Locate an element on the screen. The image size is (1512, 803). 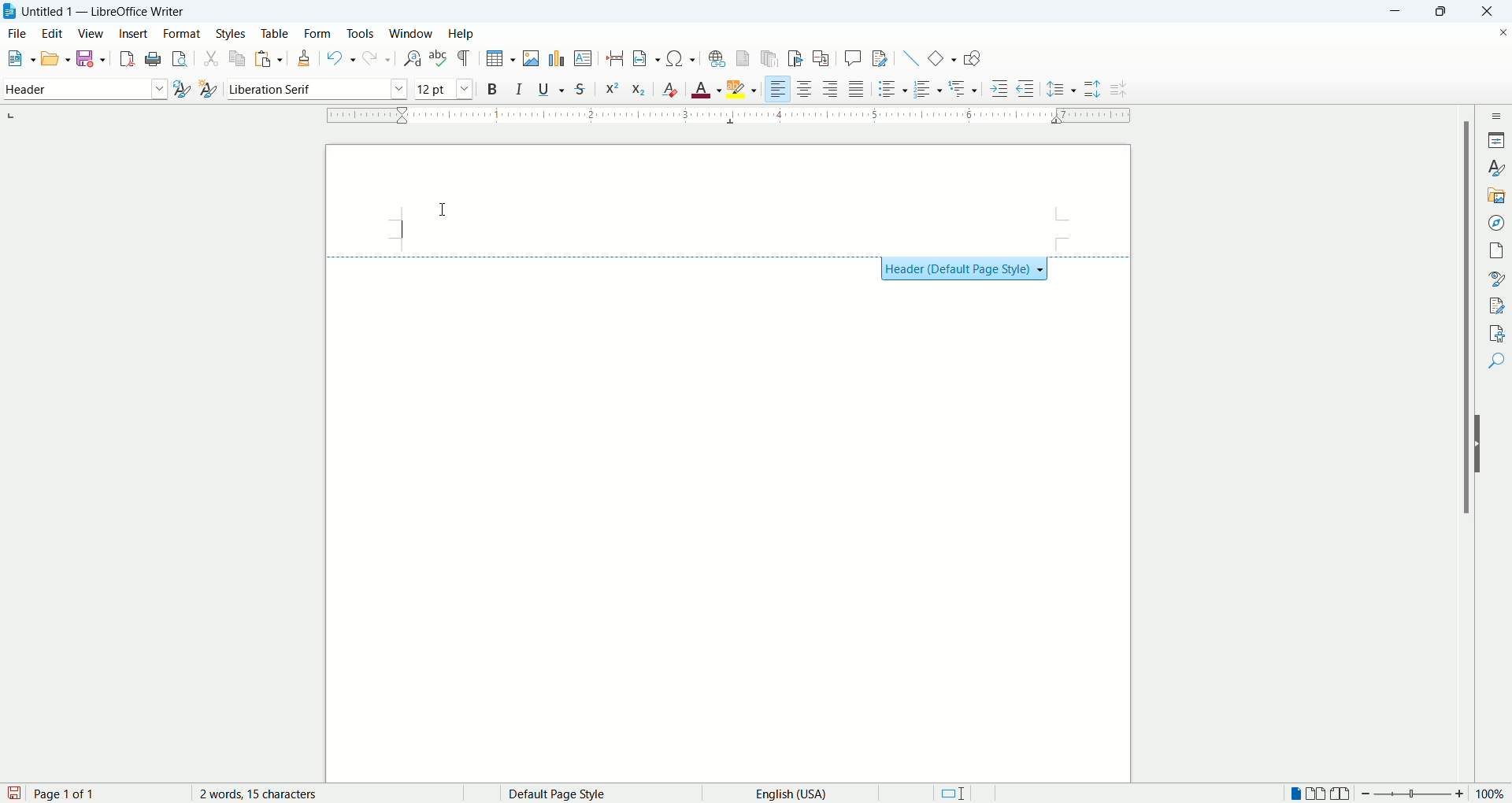
sidebar settings is located at coordinates (1499, 117).